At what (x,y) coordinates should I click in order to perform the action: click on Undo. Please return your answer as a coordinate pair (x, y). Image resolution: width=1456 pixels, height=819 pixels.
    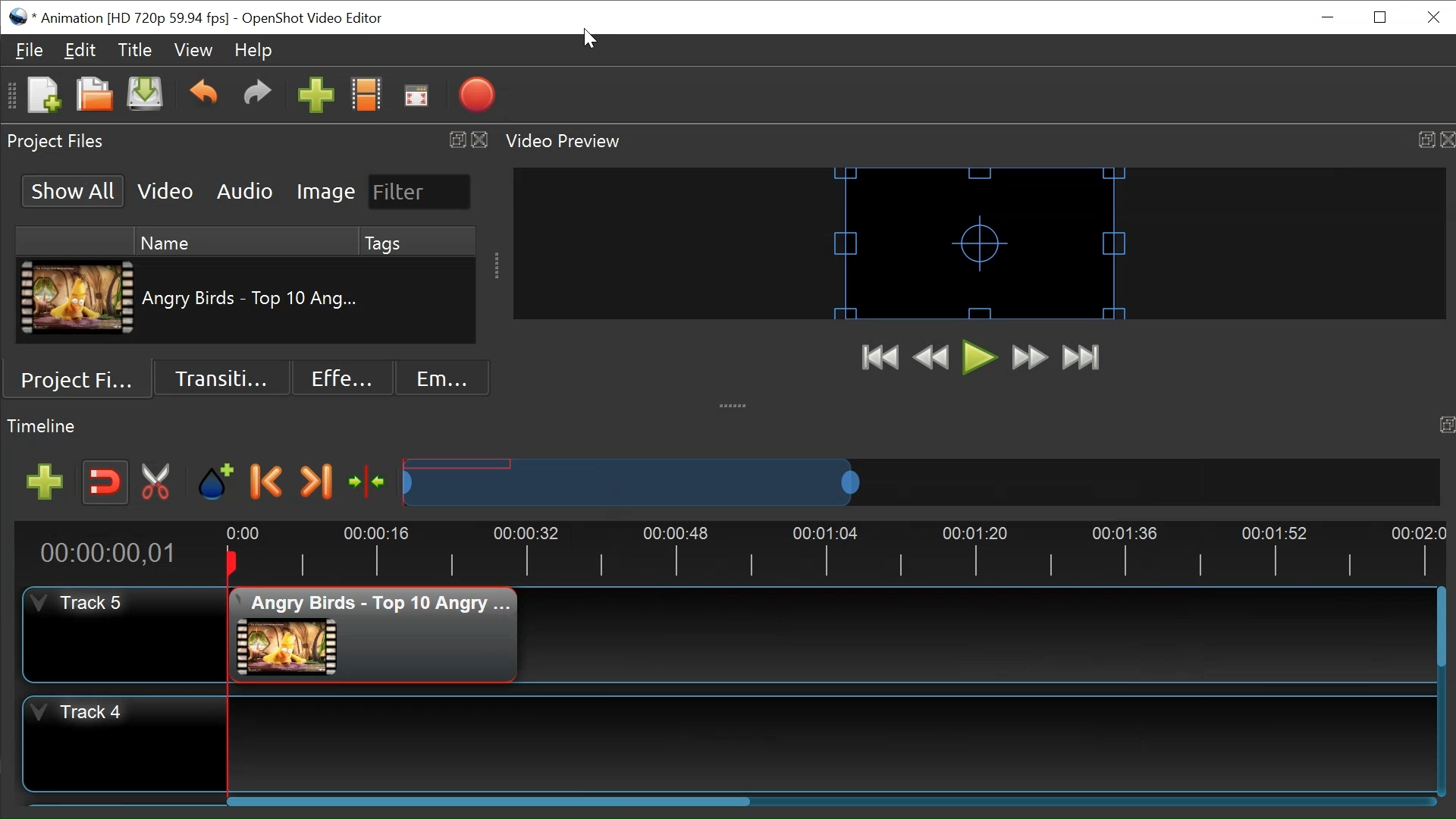
    Looking at the image, I should click on (203, 96).